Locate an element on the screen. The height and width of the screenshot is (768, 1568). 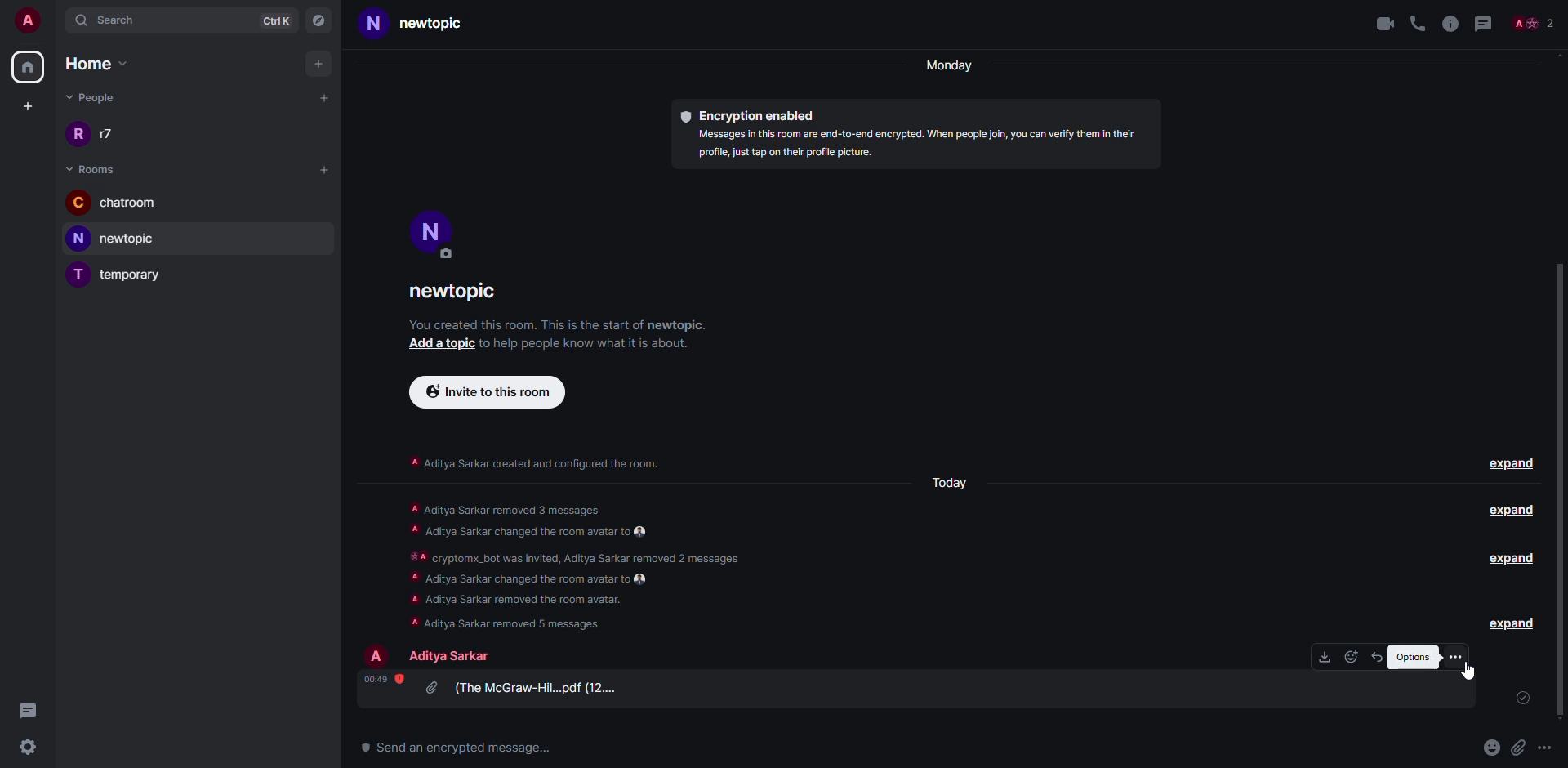
profile is located at coordinates (431, 230).